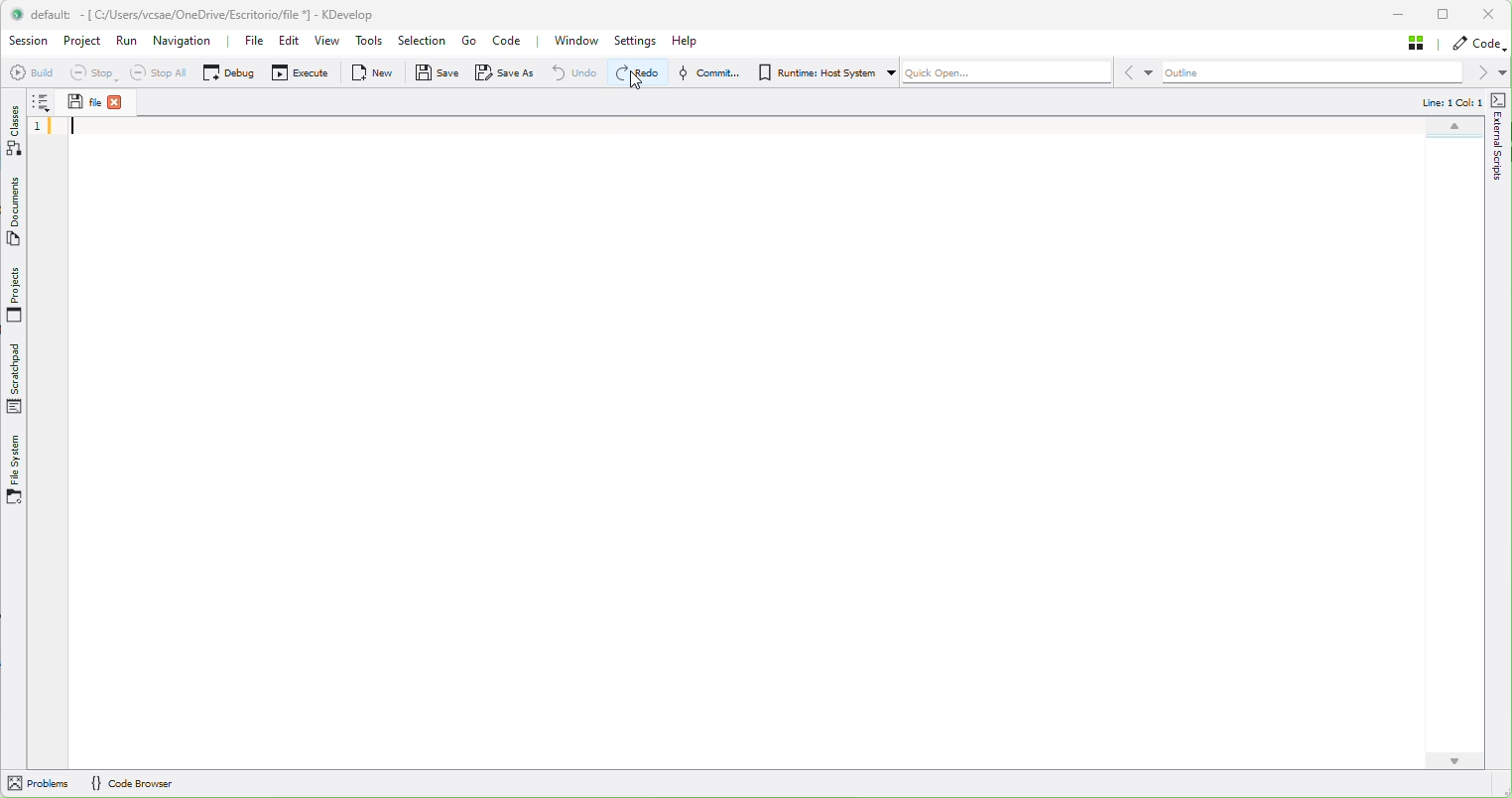 This screenshot has width=1512, height=798. What do you see at coordinates (425, 42) in the screenshot?
I see `Selection` at bounding box center [425, 42].